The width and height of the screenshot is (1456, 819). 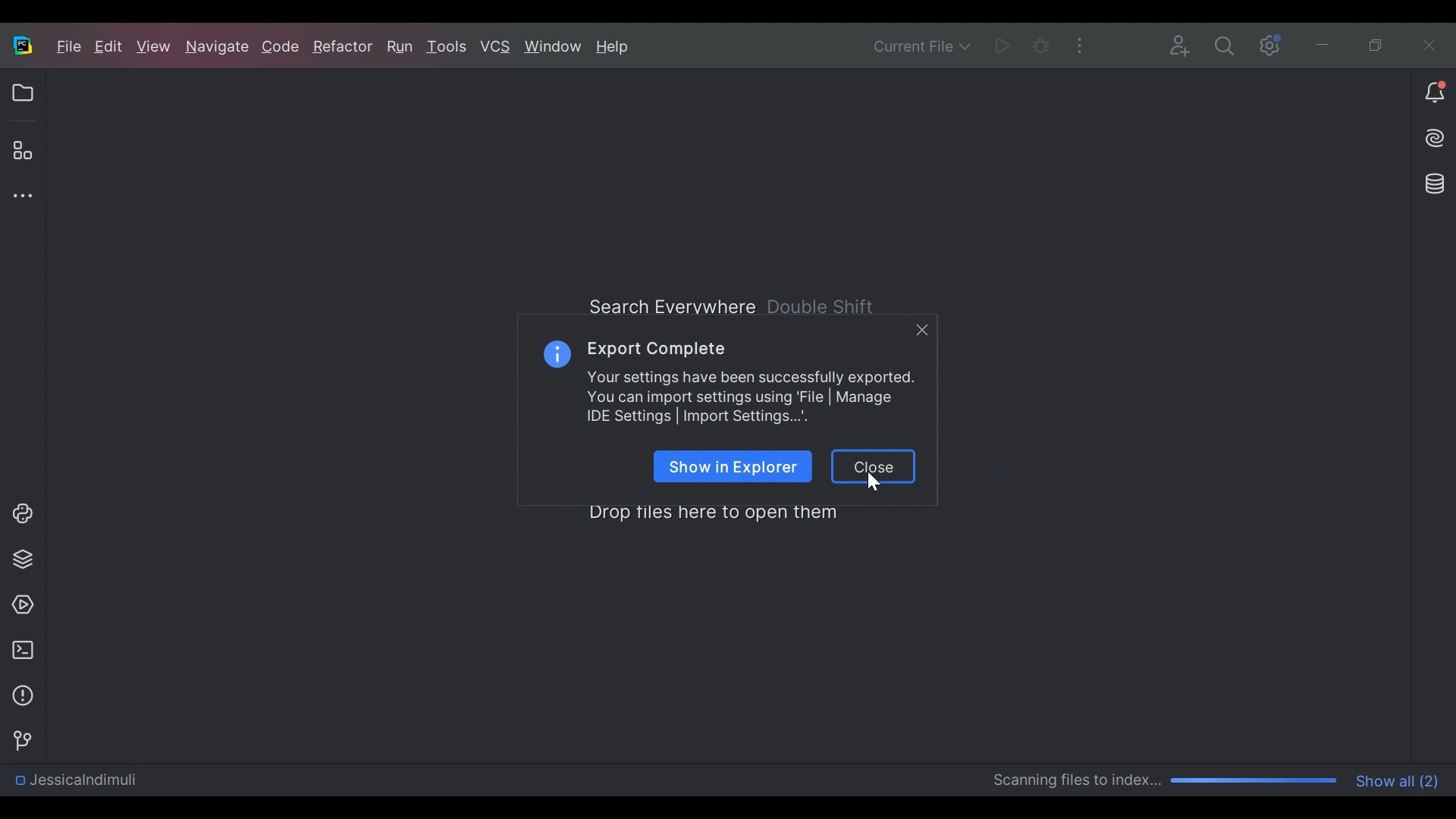 What do you see at coordinates (111, 48) in the screenshot?
I see `Edit` at bounding box center [111, 48].